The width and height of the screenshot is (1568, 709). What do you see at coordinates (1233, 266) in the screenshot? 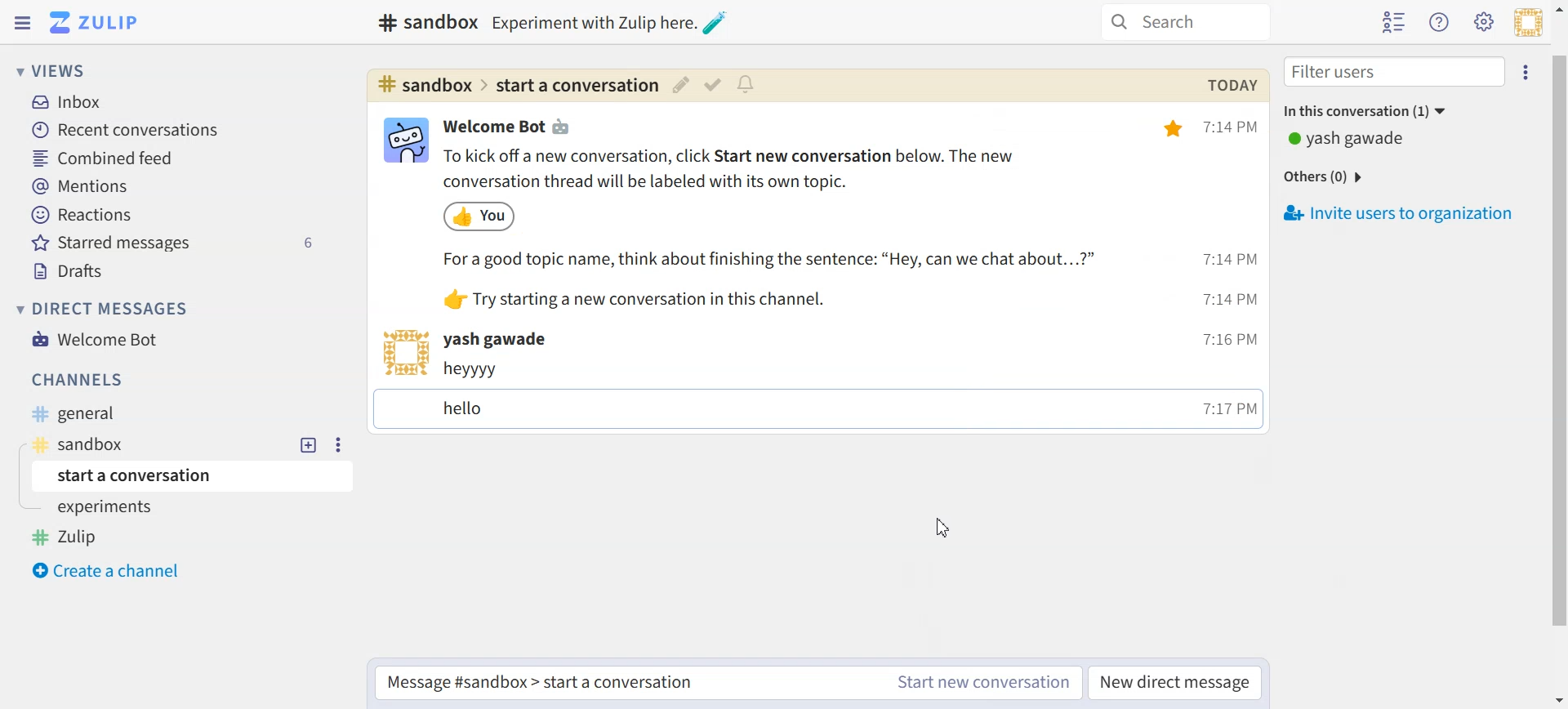
I see `Time` at bounding box center [1233, 266].